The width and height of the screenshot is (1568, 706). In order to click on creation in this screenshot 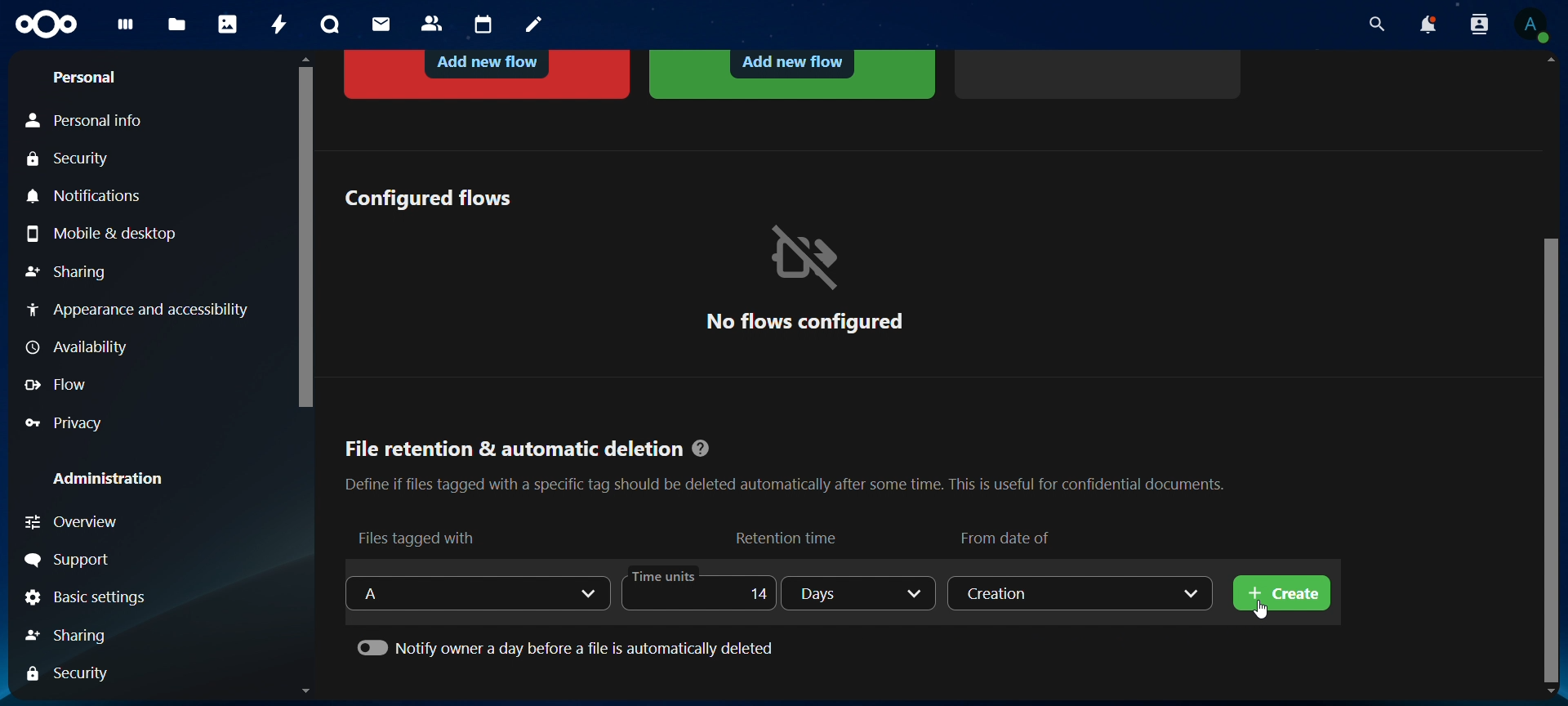, I will do `click(1082, 592)`.